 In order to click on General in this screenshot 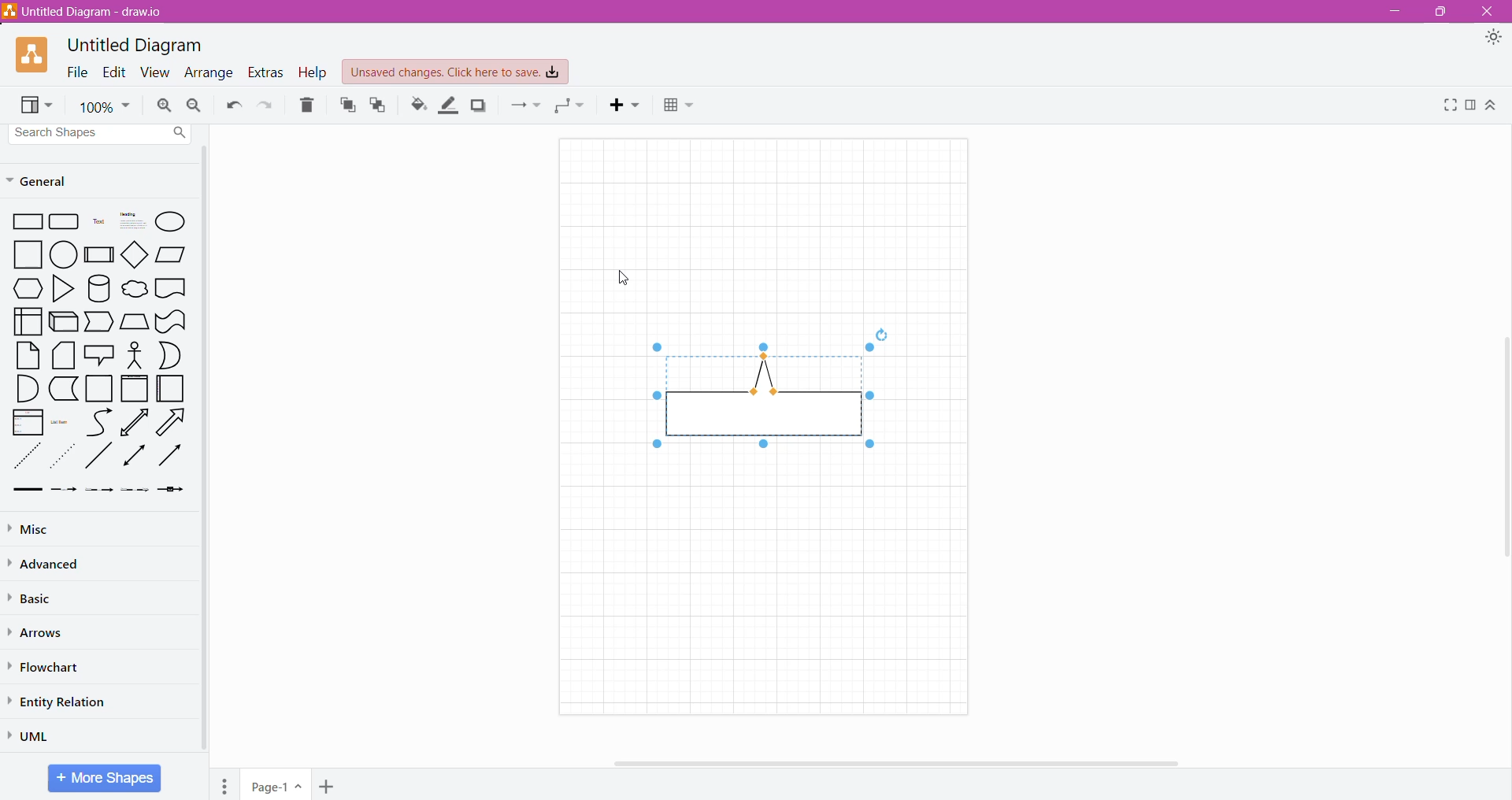, I will do `click(47, 180)`.